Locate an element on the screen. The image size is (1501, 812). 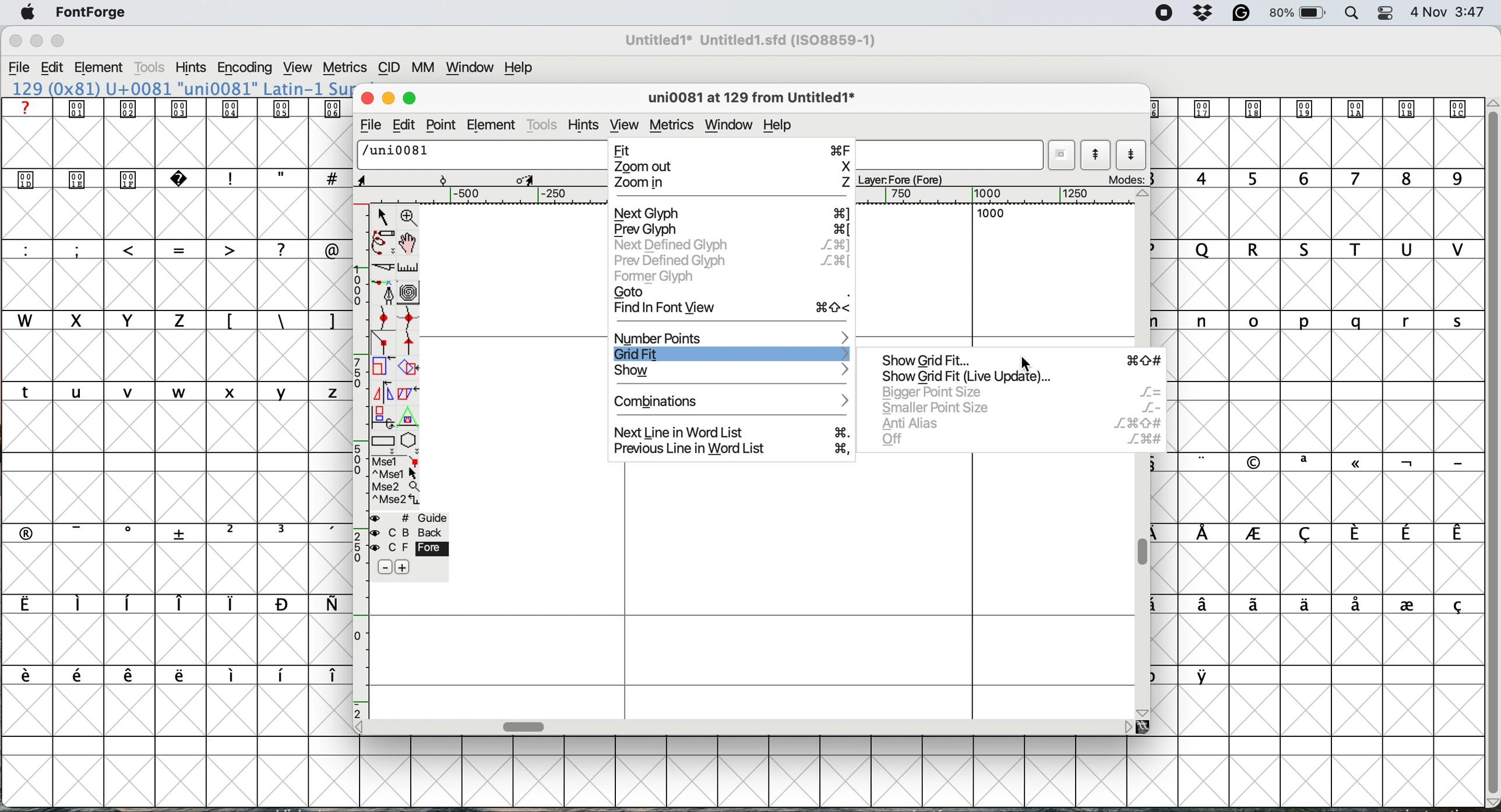
view is located at coordinates (624, 121).